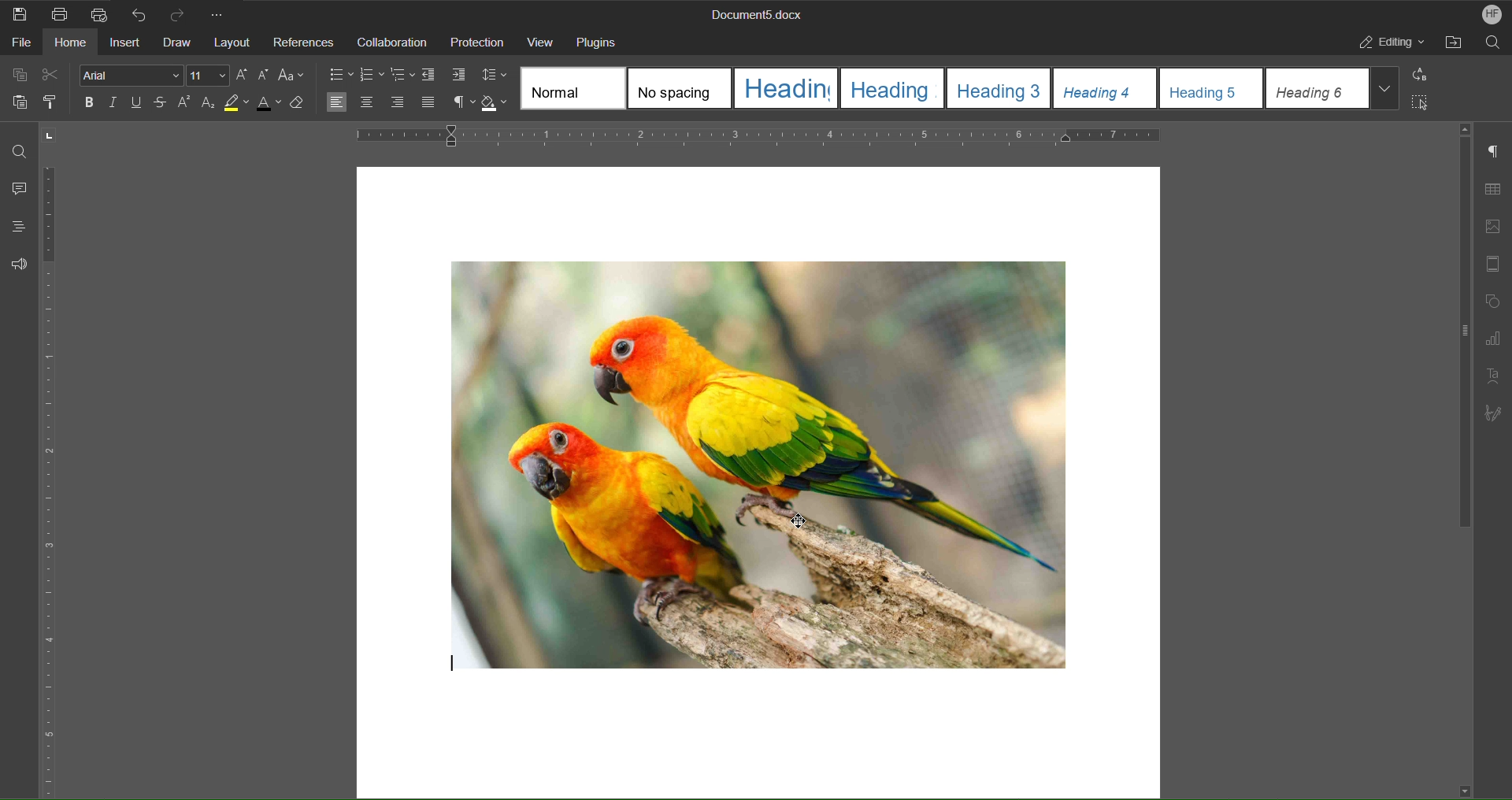  What do you see at coordinates (294, 76) in the screenshot?
I see `Text Case` at bounding box center [294, 76].